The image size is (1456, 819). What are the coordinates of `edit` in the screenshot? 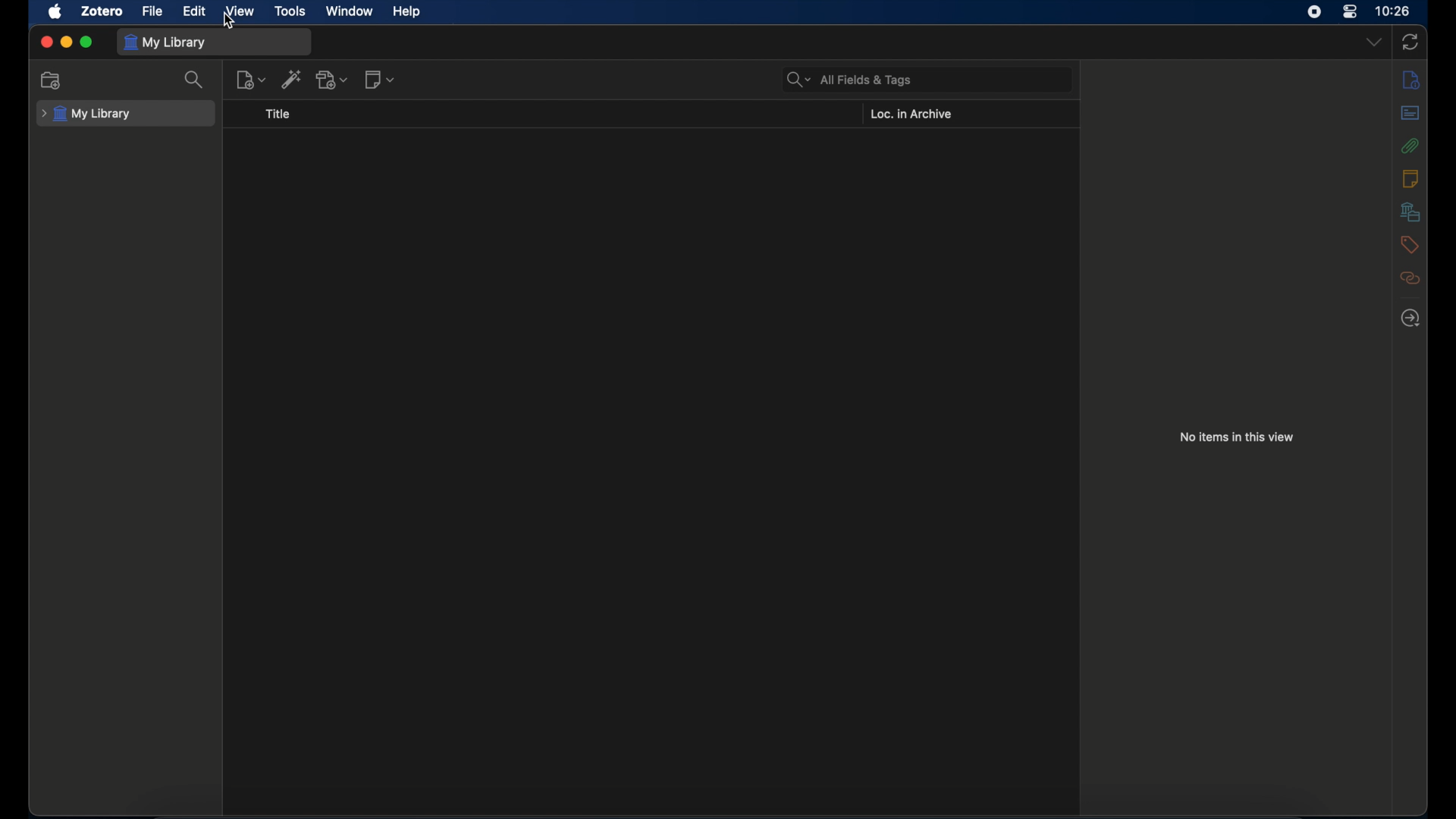 It's located at (196, 11).